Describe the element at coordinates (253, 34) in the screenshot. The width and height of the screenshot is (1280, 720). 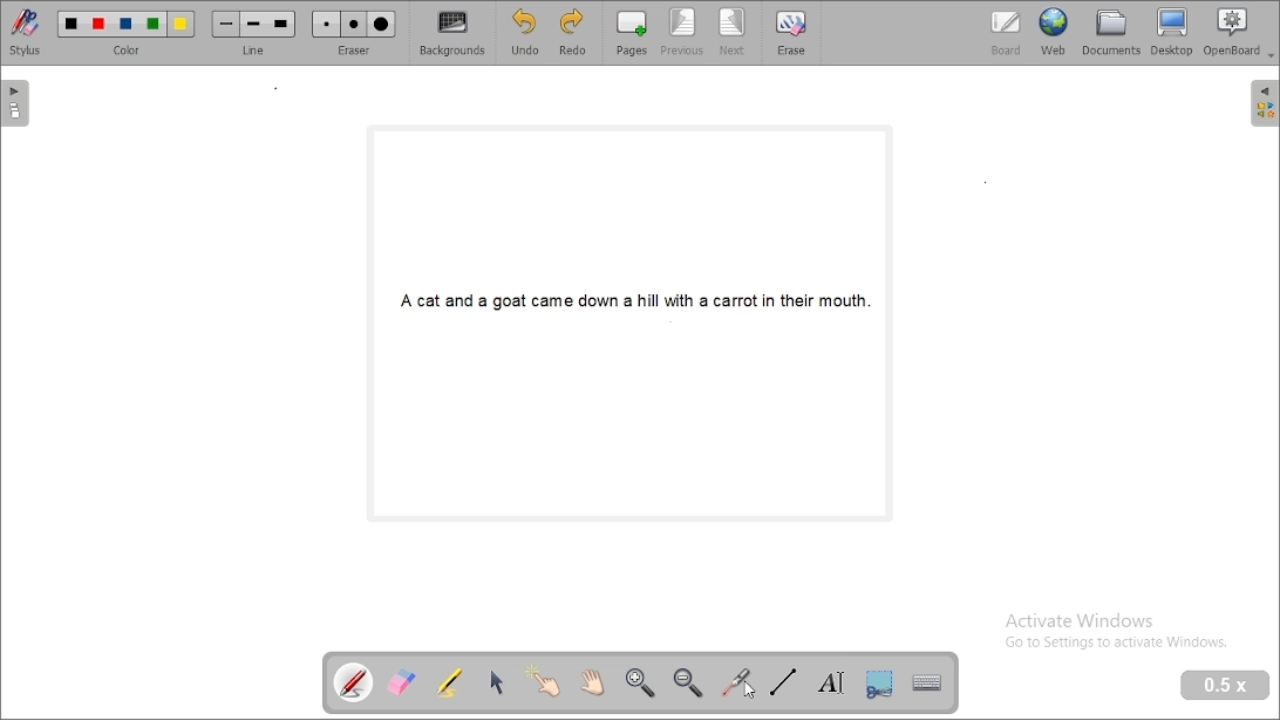
I see `line` at that location.